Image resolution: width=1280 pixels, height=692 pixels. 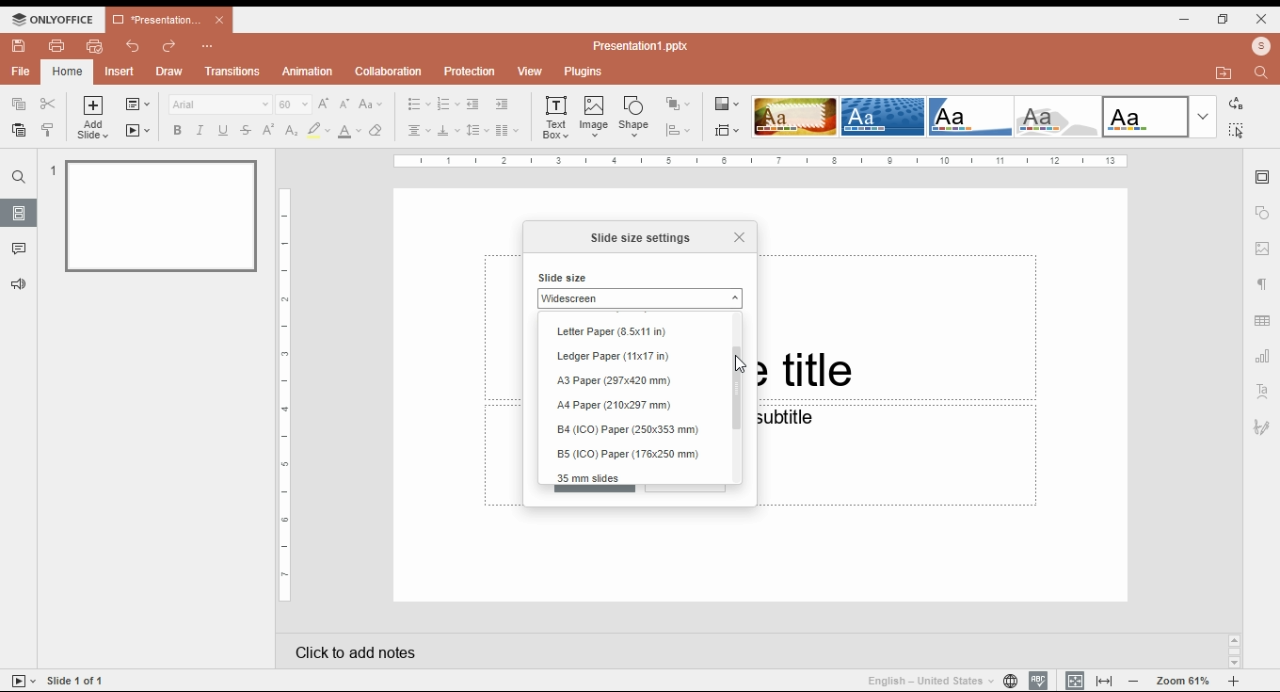 I want to click on change slide layout, so click(x=137, y=104).